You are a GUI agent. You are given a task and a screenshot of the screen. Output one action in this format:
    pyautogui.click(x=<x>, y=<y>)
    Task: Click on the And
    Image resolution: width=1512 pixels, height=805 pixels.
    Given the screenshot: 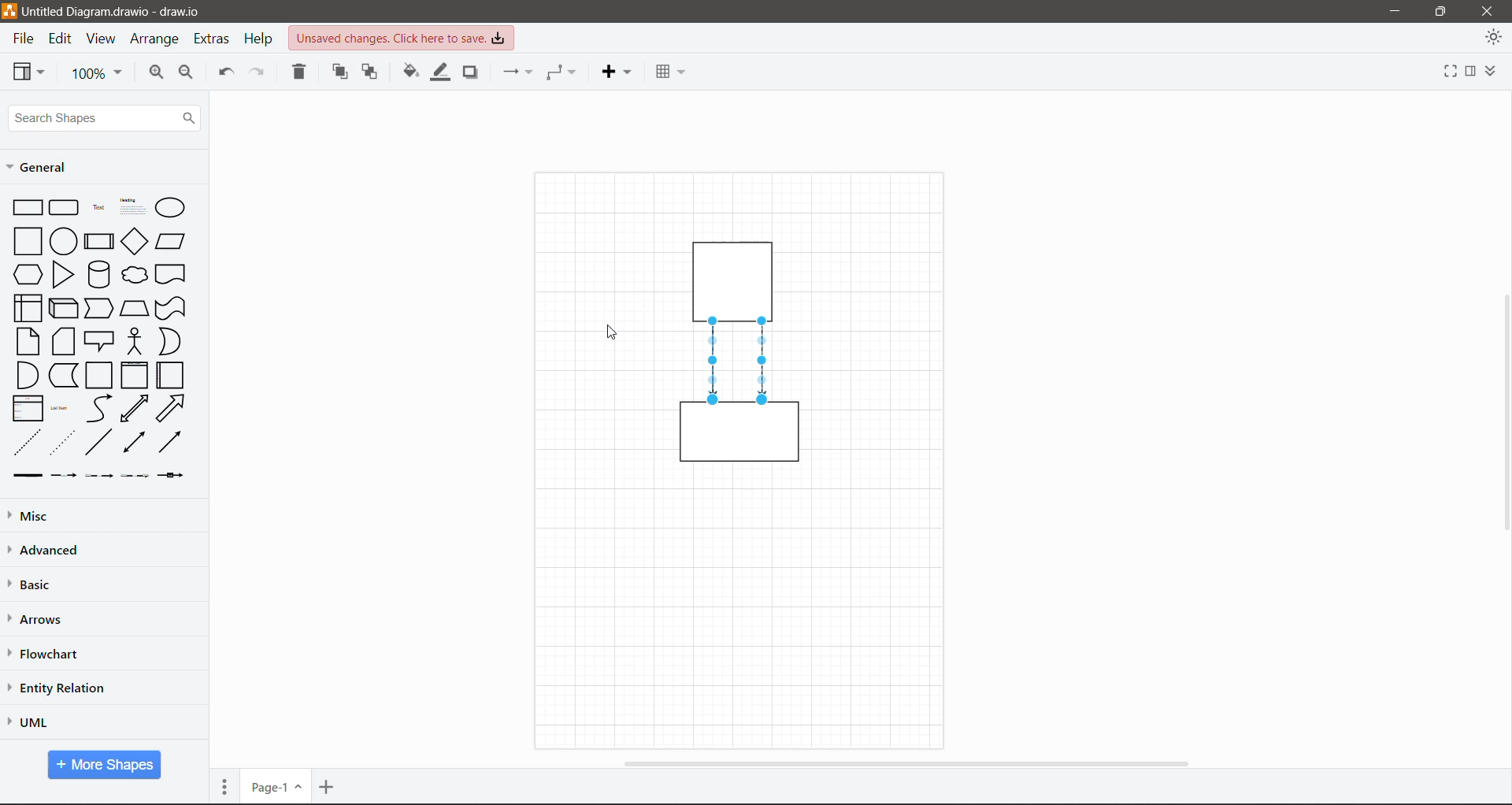 What is the action you would take?
    pyautogui.click(x=26, y=375)
    